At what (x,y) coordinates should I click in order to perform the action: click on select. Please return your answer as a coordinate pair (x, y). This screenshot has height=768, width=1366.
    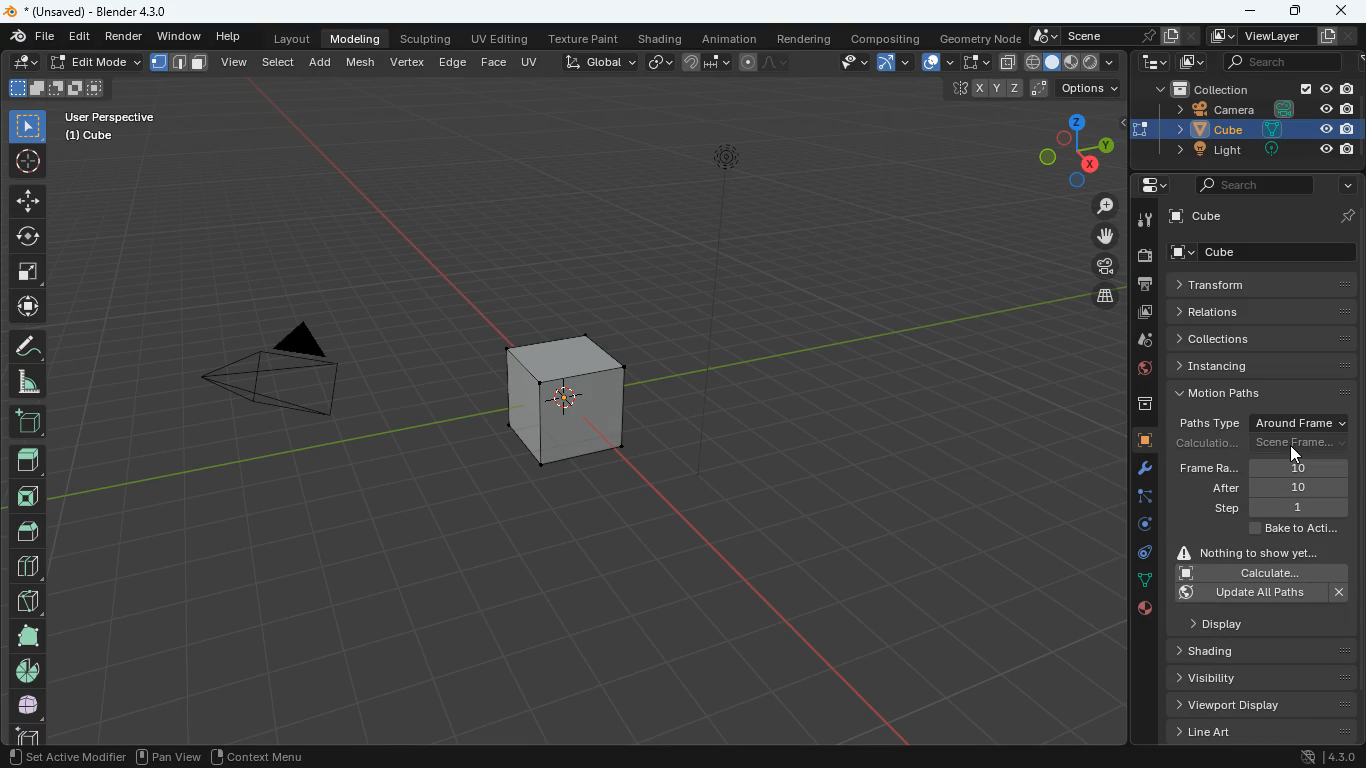
    Looking at the image, I should click on (280, 60).